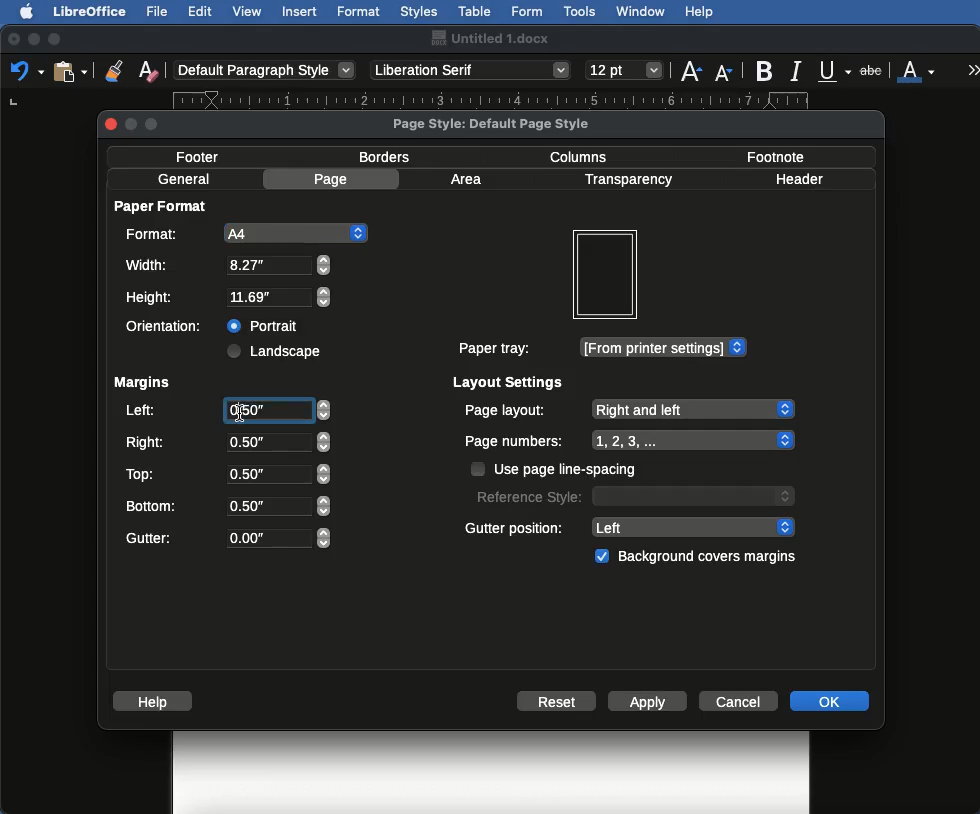 The width and height of the screenshot is (980, 814). I want to click on Insert, so click(300, 11).